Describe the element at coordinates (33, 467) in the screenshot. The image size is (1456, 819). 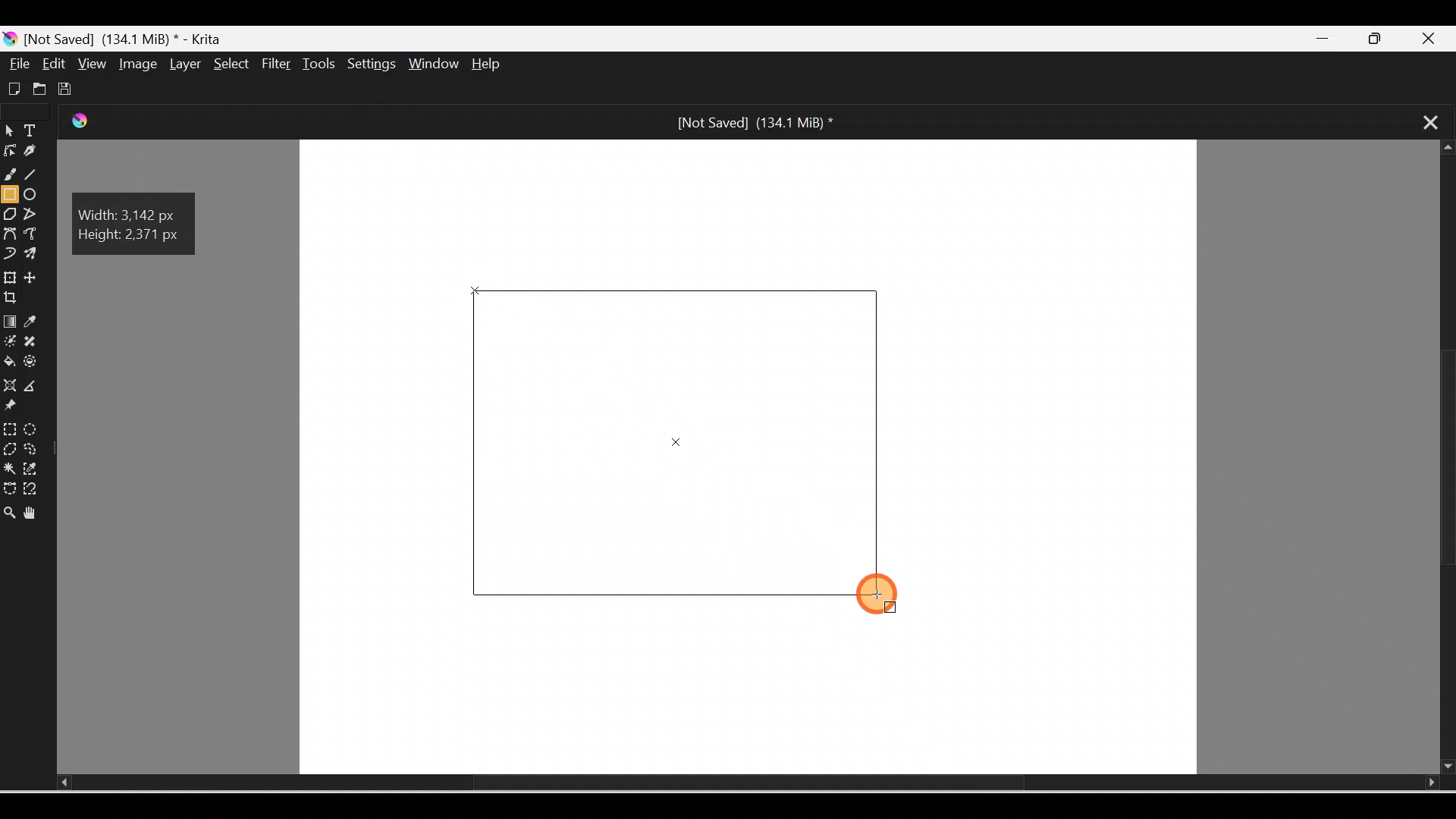
I see `Similar color selection tool` at that location.